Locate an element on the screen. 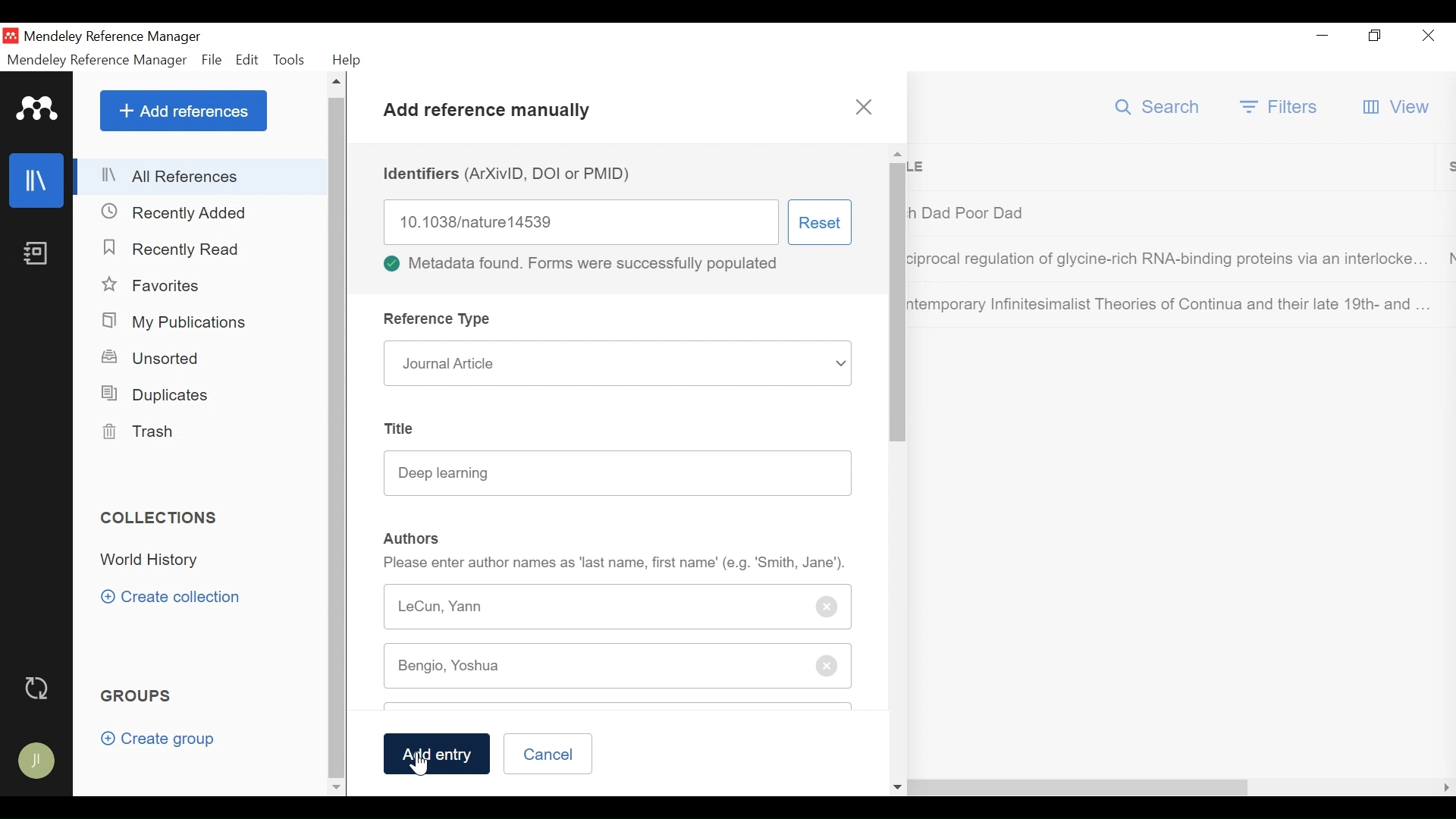 This screenshot has height=819, width=1456. Mendeley Logo is located at coordinates (37, 108).